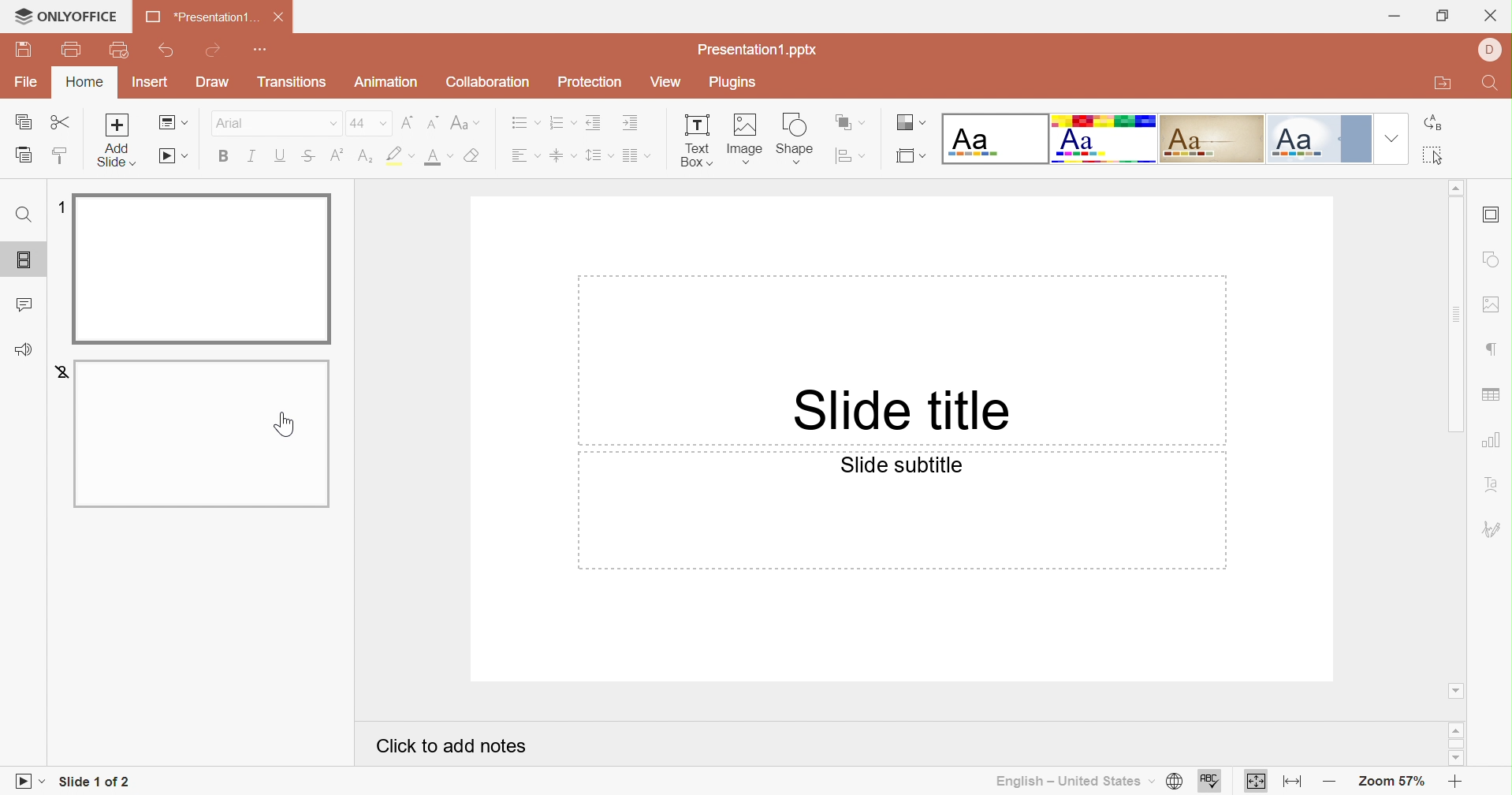  I want to click on Transitions, so click(292, 82).